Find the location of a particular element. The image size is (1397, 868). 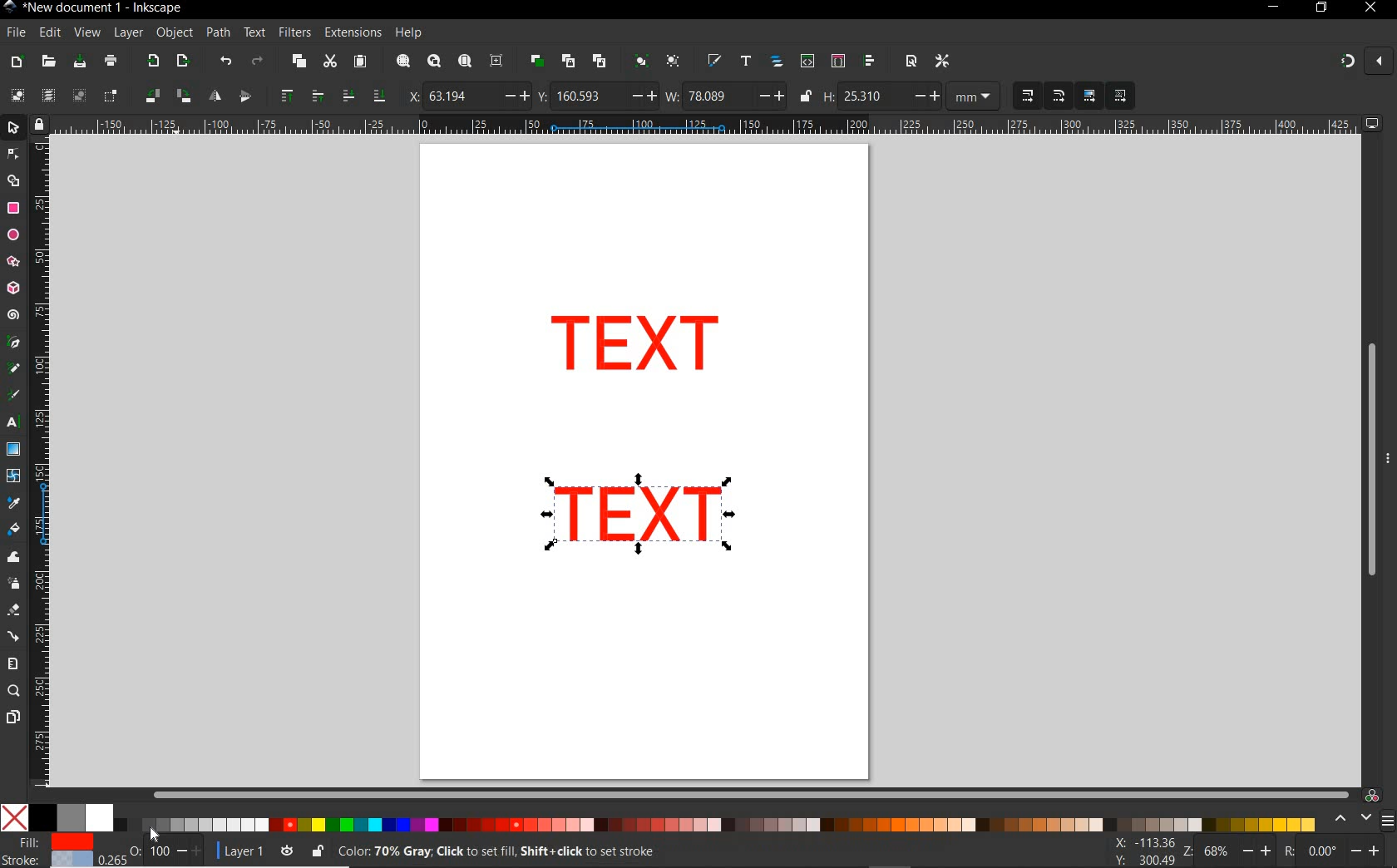

MEASUREMENT is located at coordinates (976, 96).